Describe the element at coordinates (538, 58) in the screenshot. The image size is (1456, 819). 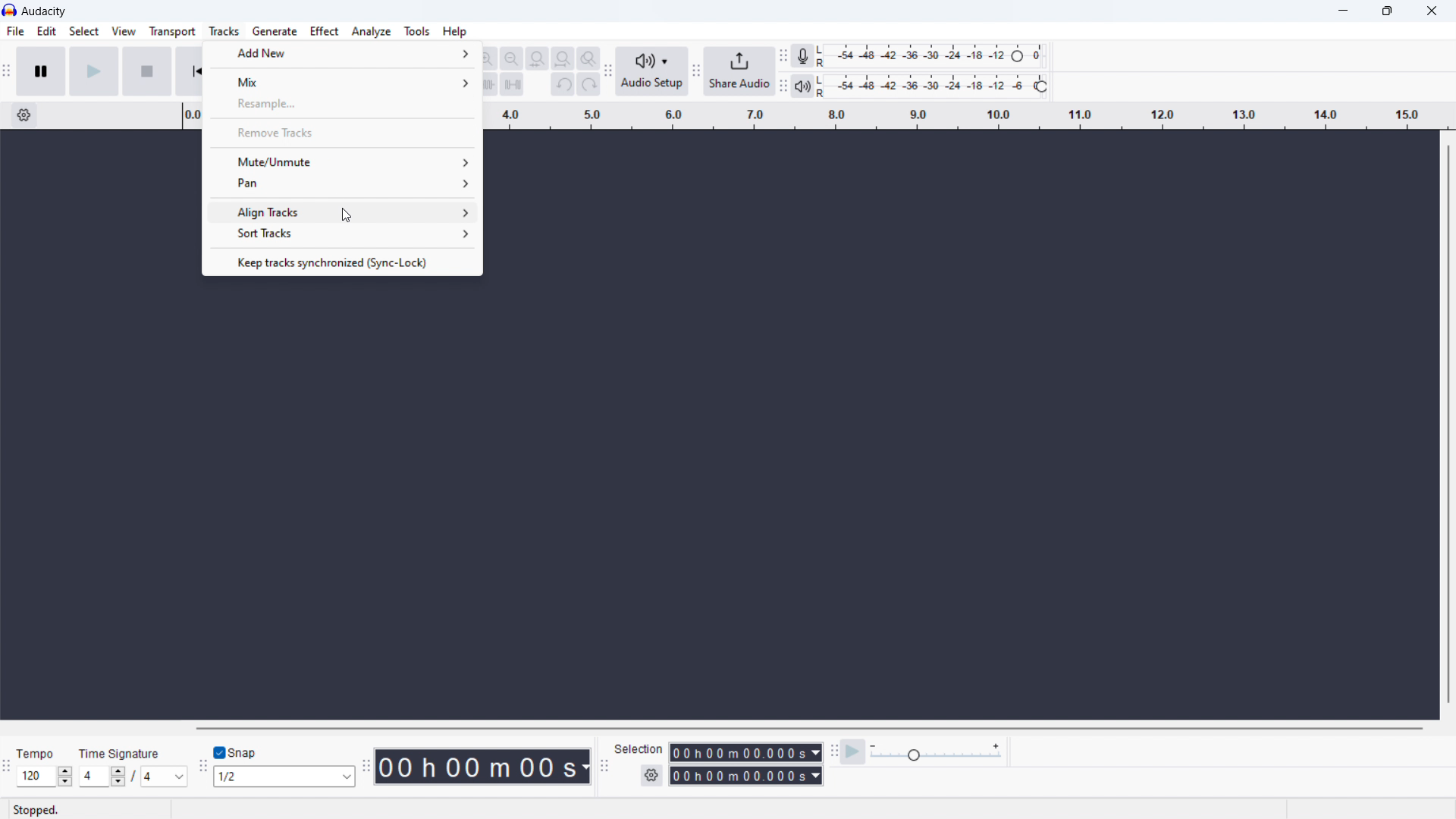
I see `fit selection to width` at that location.